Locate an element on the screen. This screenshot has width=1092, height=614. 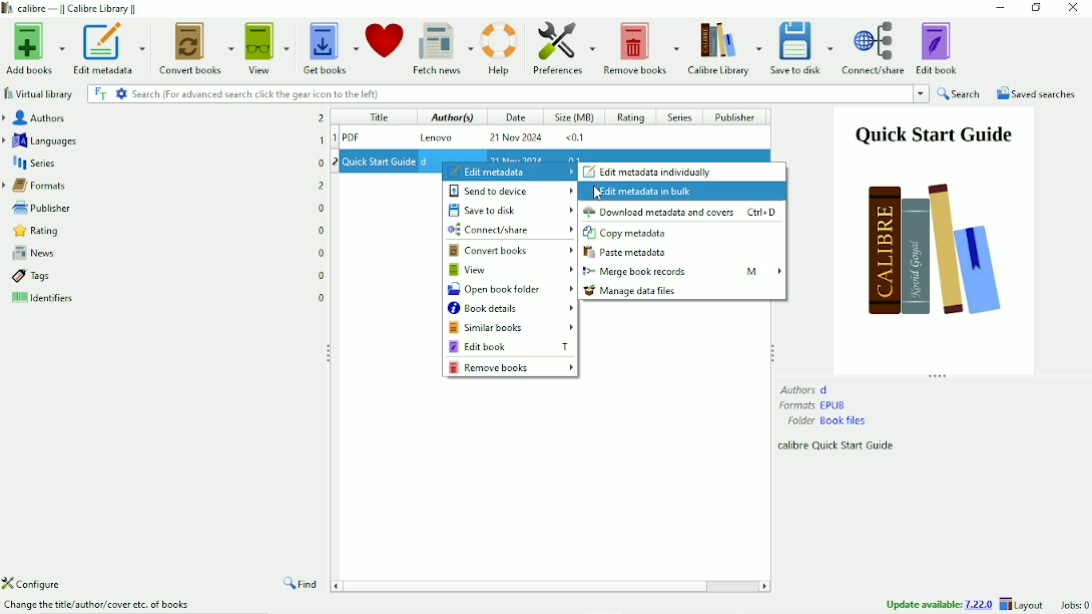
Jobs is located at coordinates (1072, 605).